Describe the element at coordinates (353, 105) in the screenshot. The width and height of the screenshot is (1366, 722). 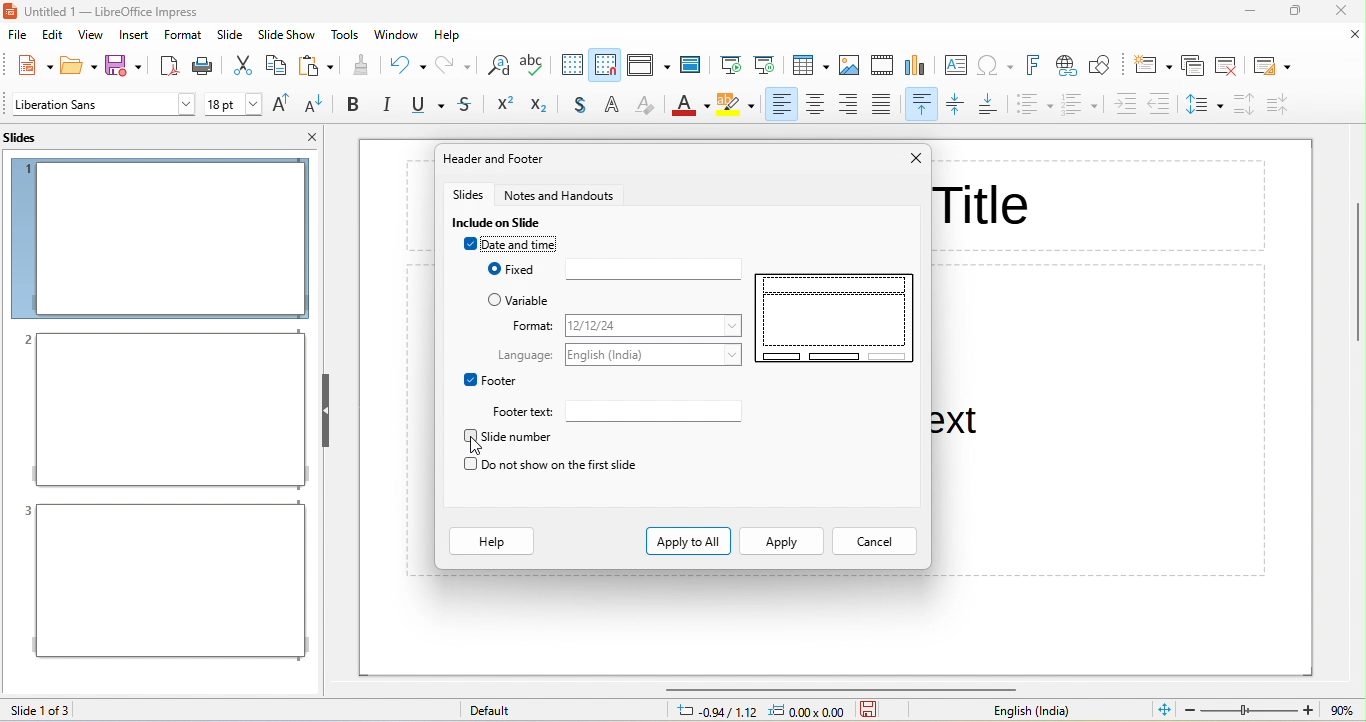
I see `bold` at that location.